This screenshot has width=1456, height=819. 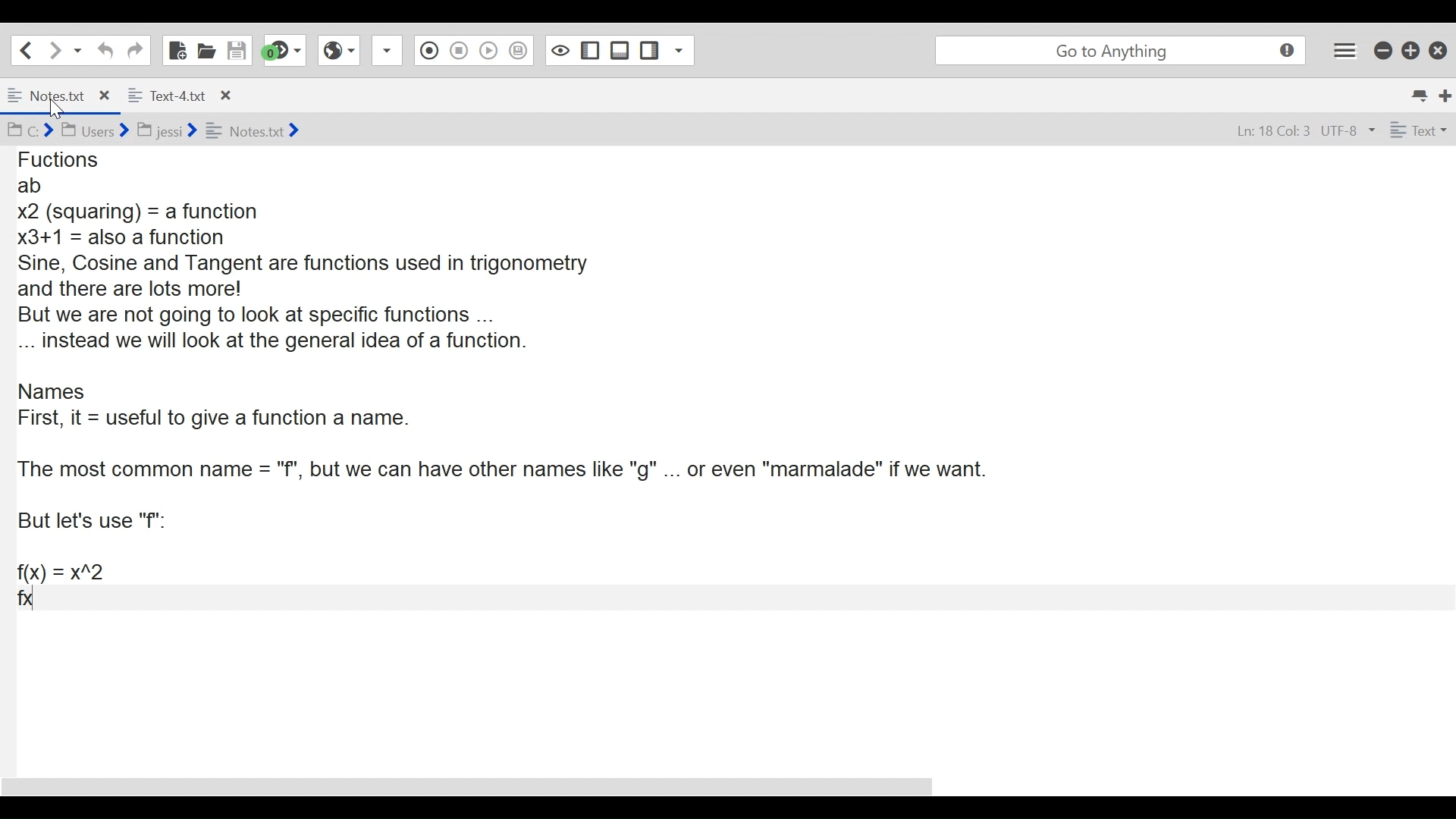 I want to click on Save Macro to Toolbox as Superscript, so click(x=519, y=49).